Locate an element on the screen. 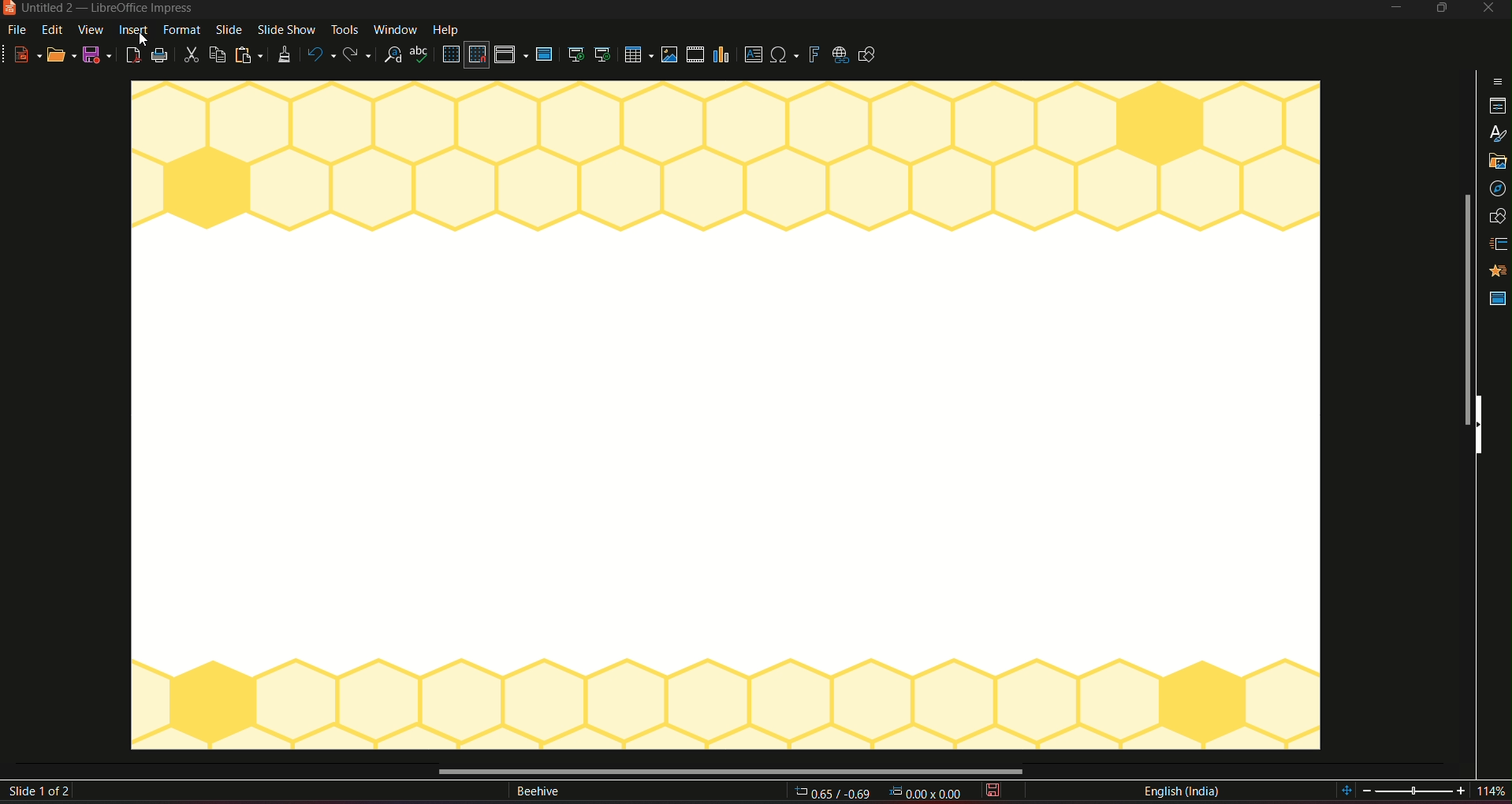 The height and width of the screenshot is (804, 1512). file is located at coordinates (20, 31).